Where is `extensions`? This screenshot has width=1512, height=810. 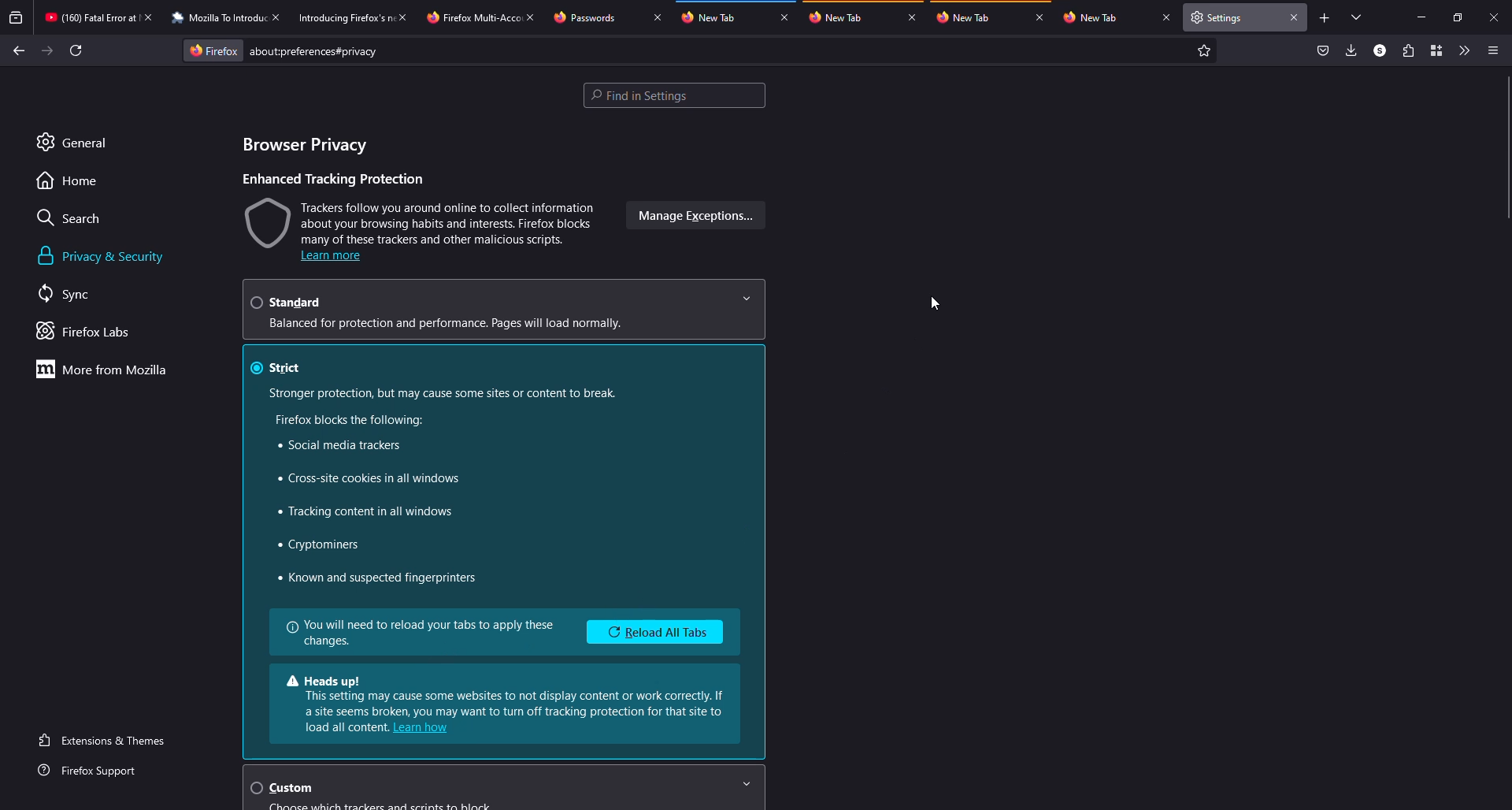
extensions is located at coordinates (1406, 50).